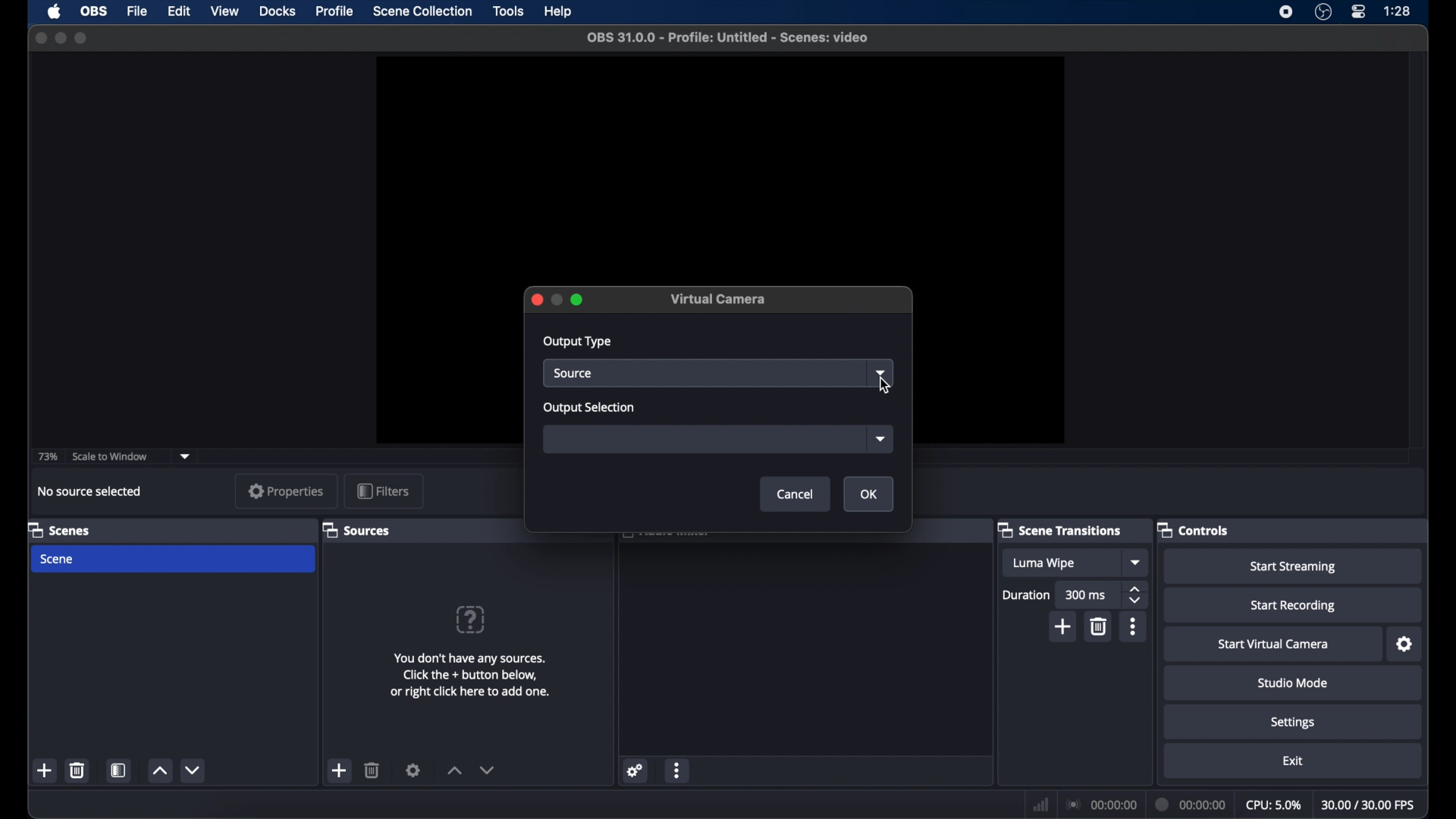 Image resolution: width=1456 pixels, height=819 pixels. What do you see at coordinates (1272, 805) in the screenshot?
I see `cpu` at bounding box center [1272, 805].